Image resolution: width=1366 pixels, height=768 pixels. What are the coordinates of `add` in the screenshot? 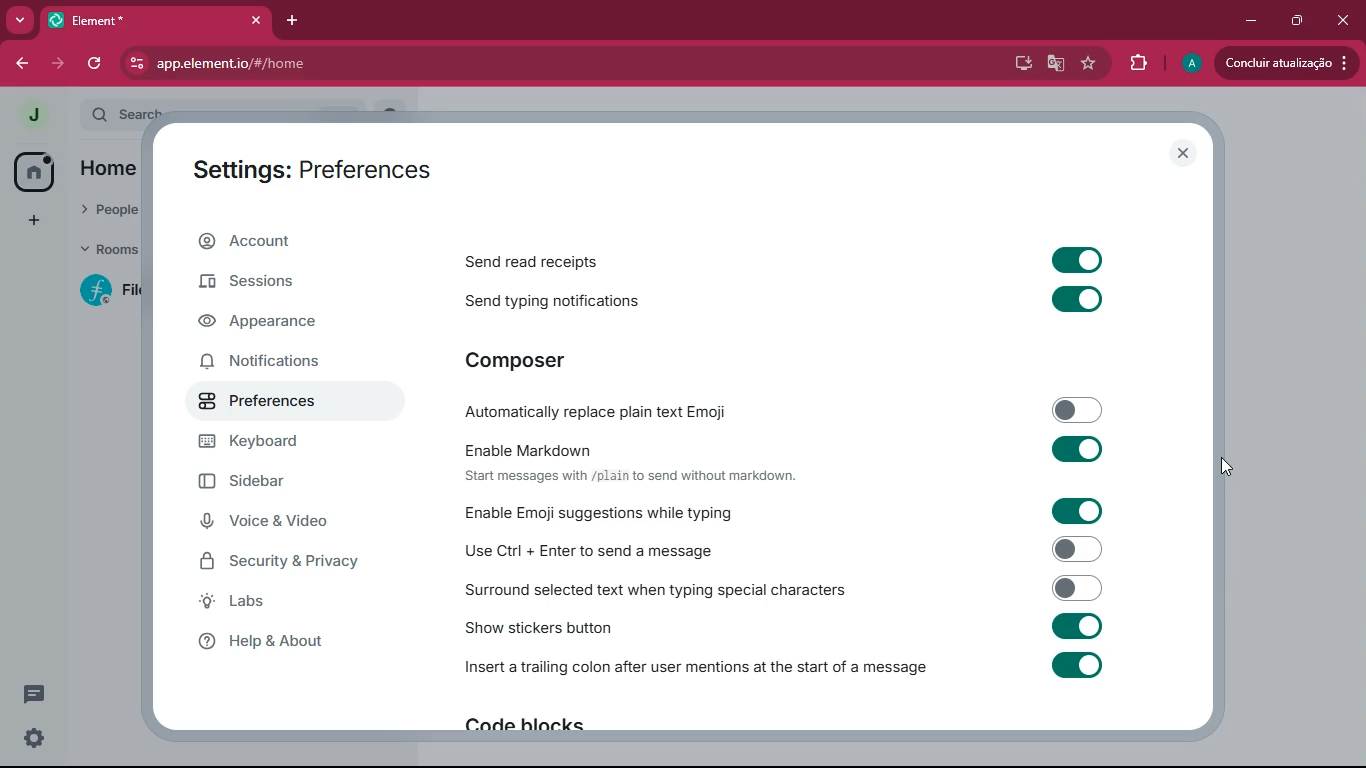 It's located at (31, 222).